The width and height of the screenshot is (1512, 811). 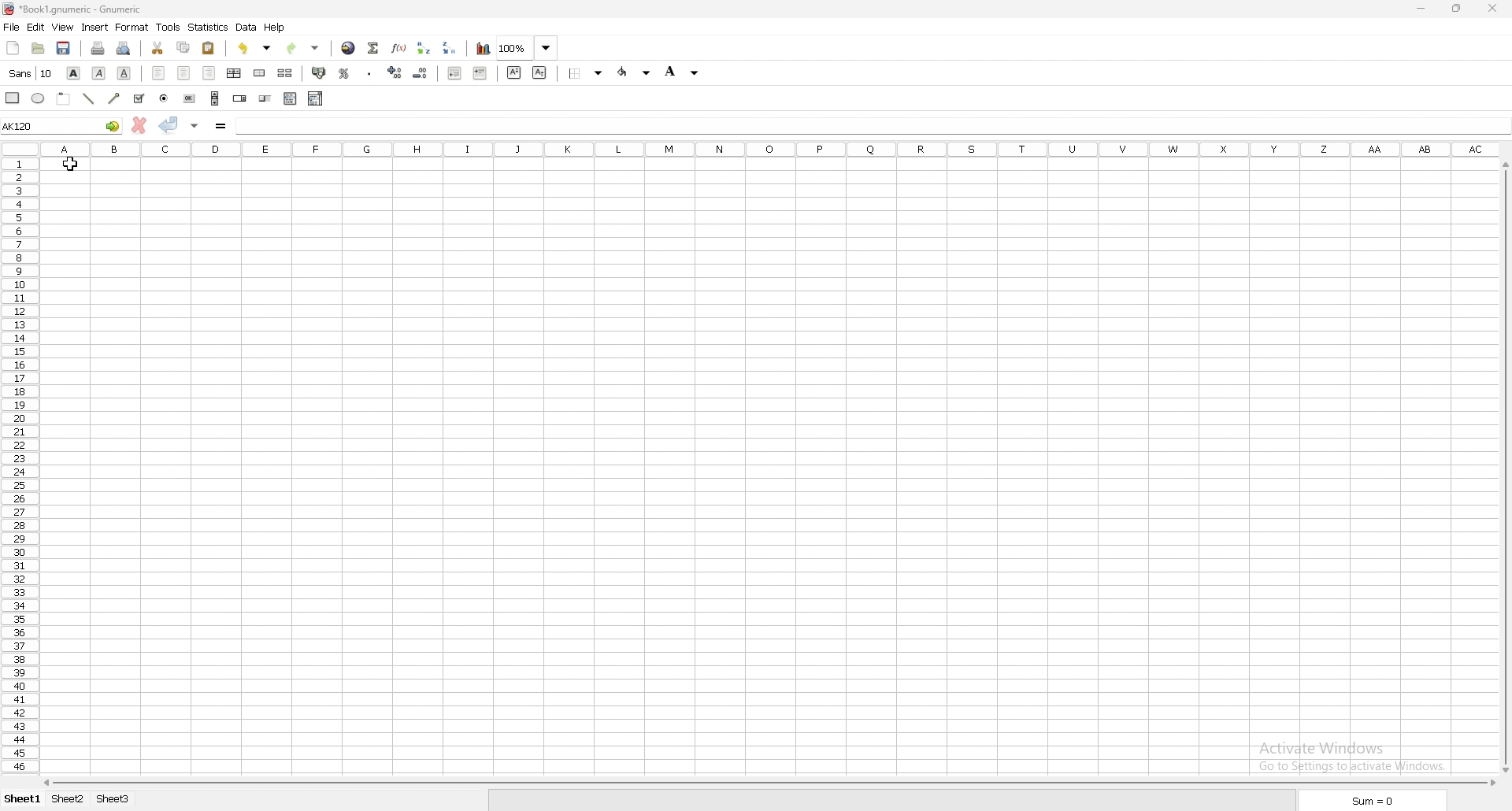 What do you see at coordinates (771, 783) in the screenshot?
I see `scroll bar` at bounding box center [771, 783].